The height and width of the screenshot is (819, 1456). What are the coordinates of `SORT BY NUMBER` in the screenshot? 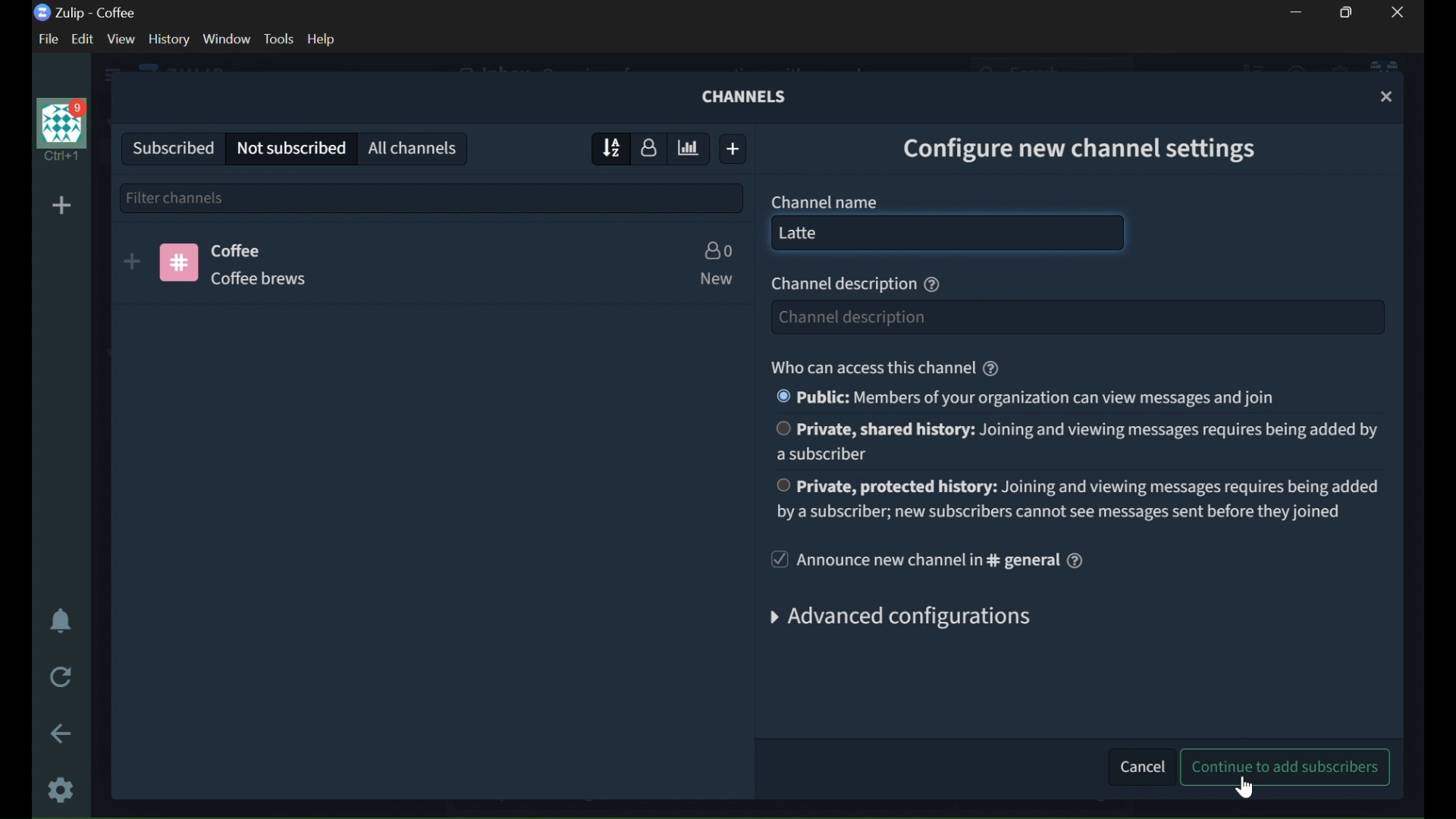 It's located at (650, 147).